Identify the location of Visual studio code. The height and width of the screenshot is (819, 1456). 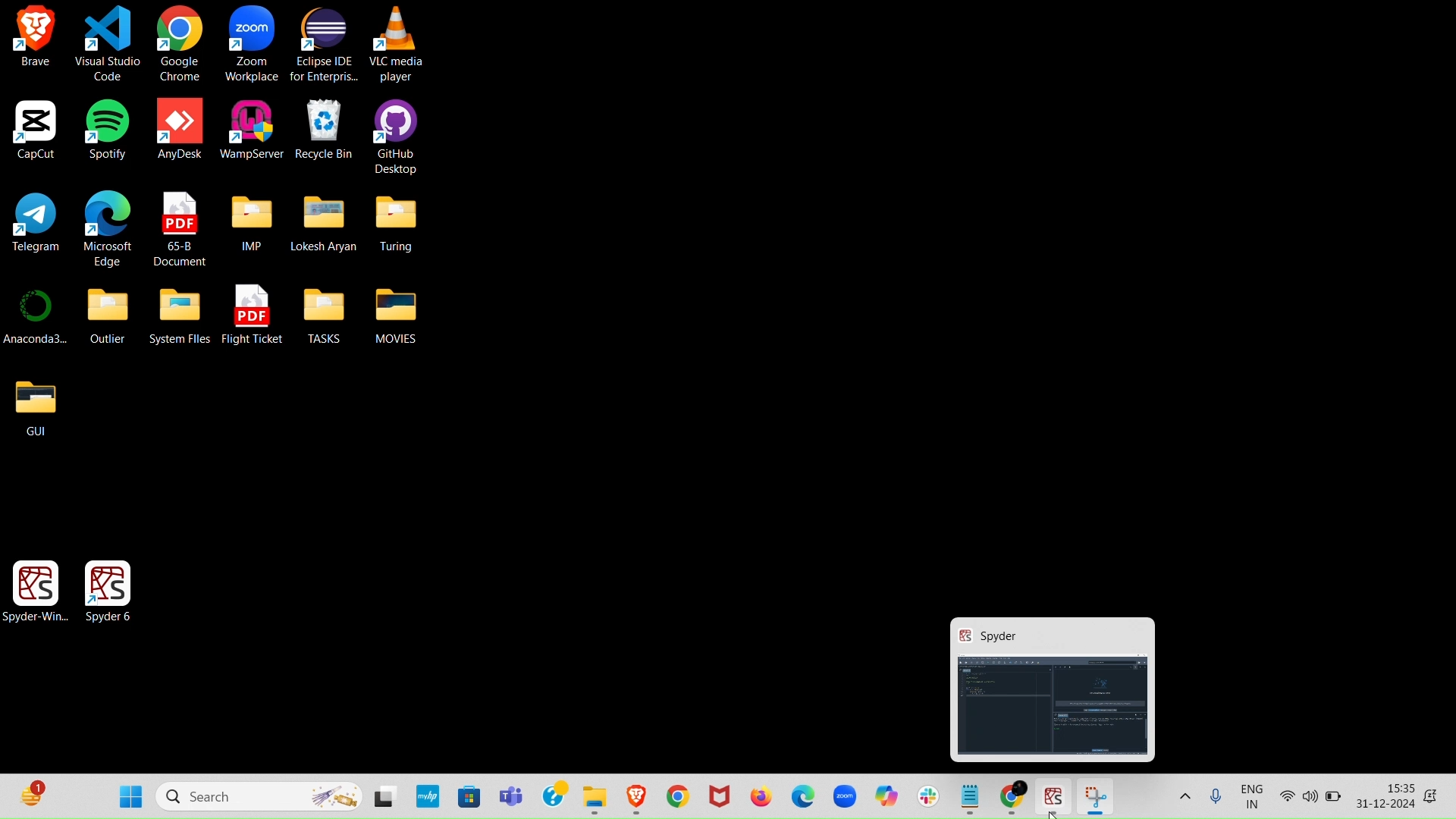
(108, 44).